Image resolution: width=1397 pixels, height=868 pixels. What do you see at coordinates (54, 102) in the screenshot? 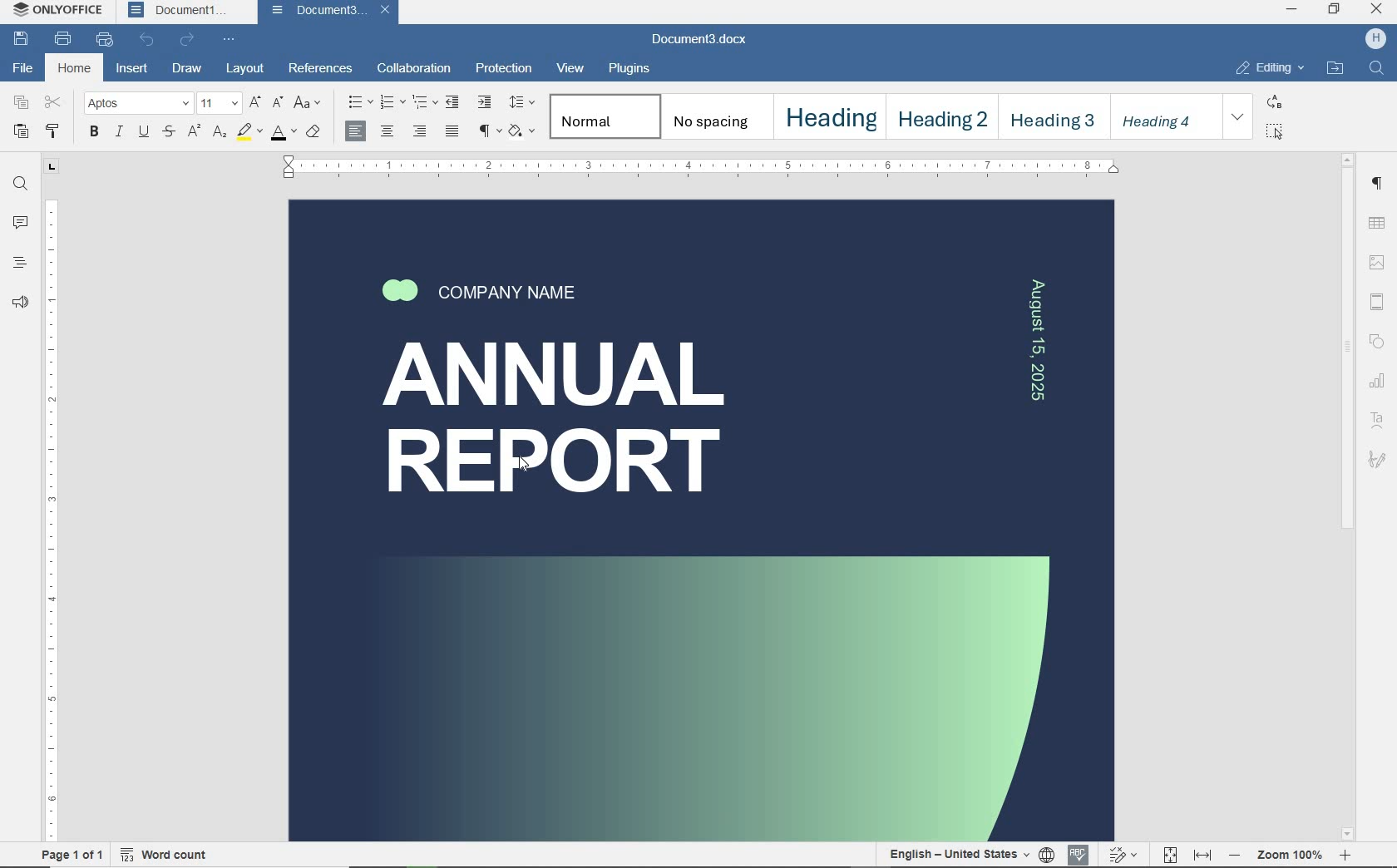
I see `cut` at bounding box center [54, 102].